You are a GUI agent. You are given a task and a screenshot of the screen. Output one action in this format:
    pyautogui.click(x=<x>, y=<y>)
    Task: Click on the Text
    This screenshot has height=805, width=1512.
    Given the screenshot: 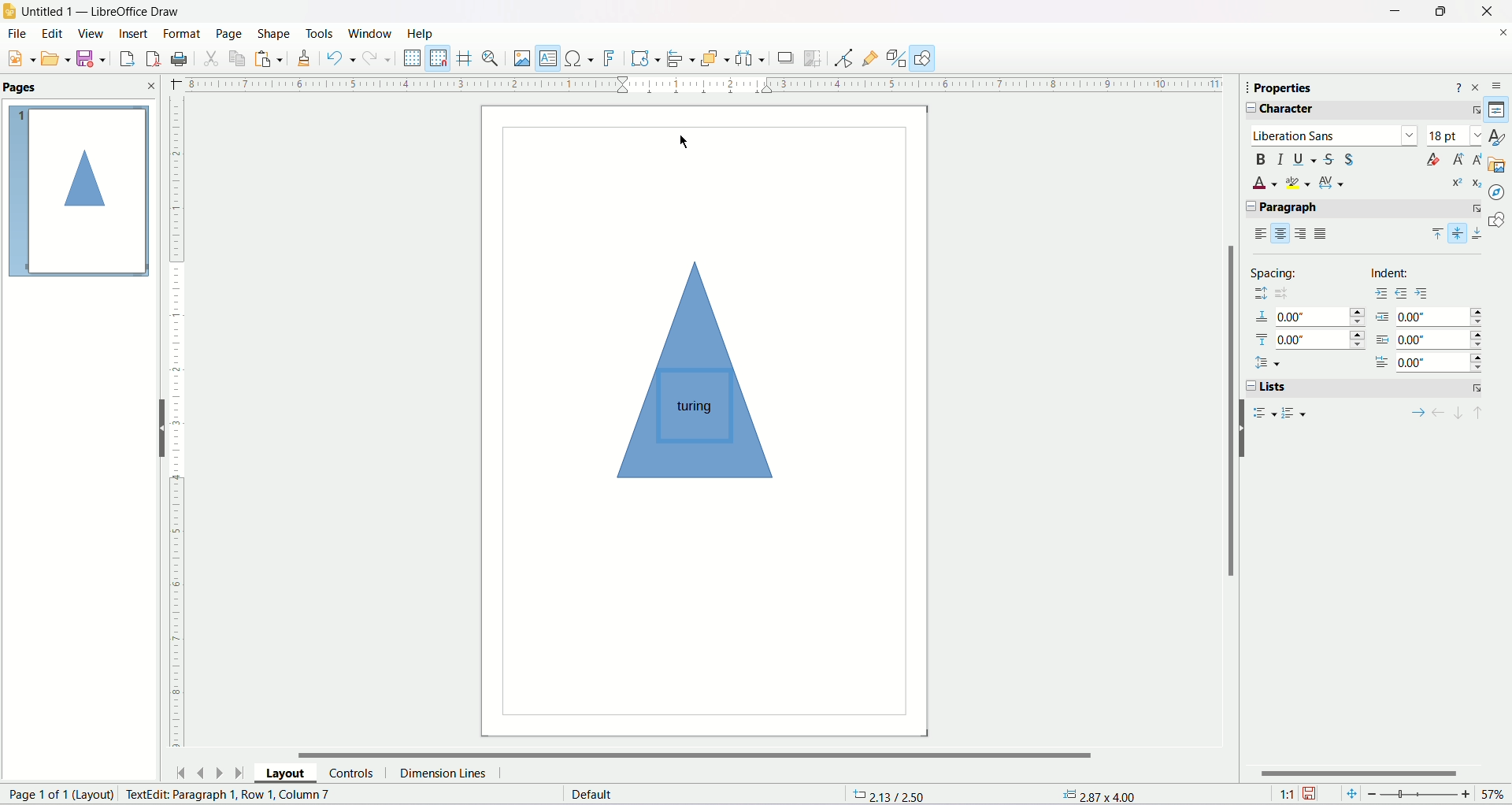 What is the action you would take?
    pyautogui.click(x=606, y=795)
    